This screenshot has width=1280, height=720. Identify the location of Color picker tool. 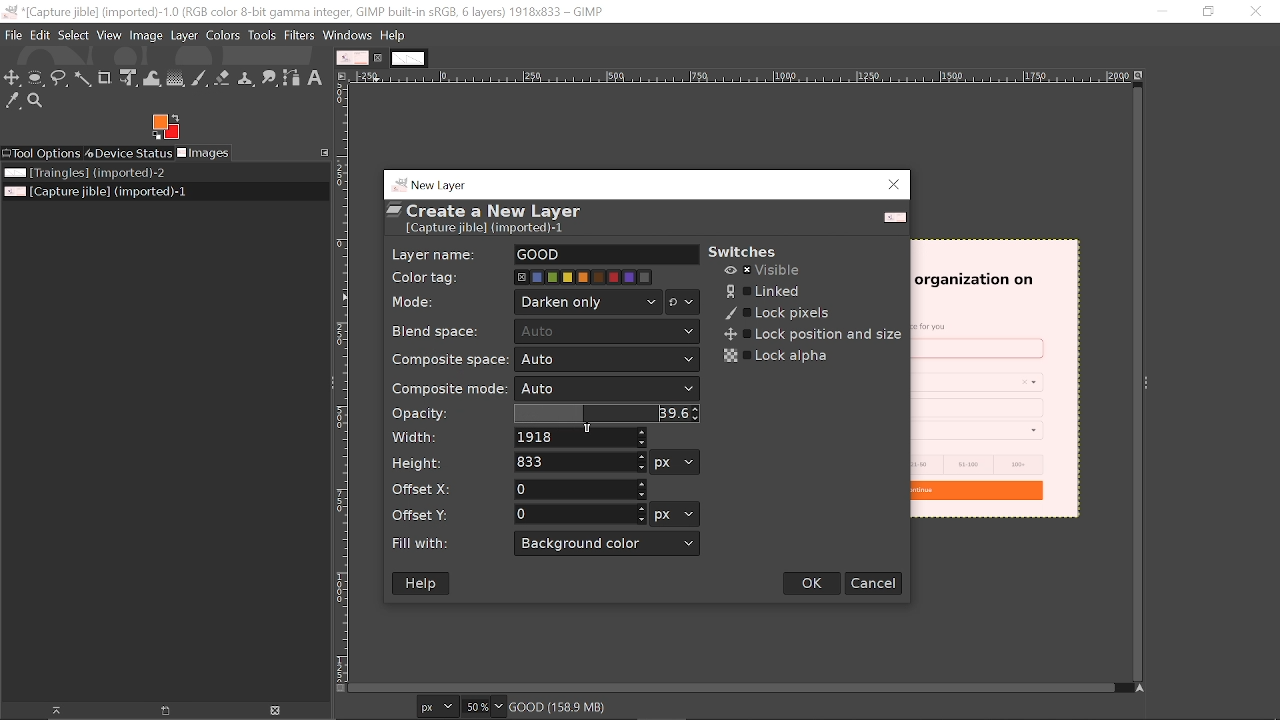
(11, 101).